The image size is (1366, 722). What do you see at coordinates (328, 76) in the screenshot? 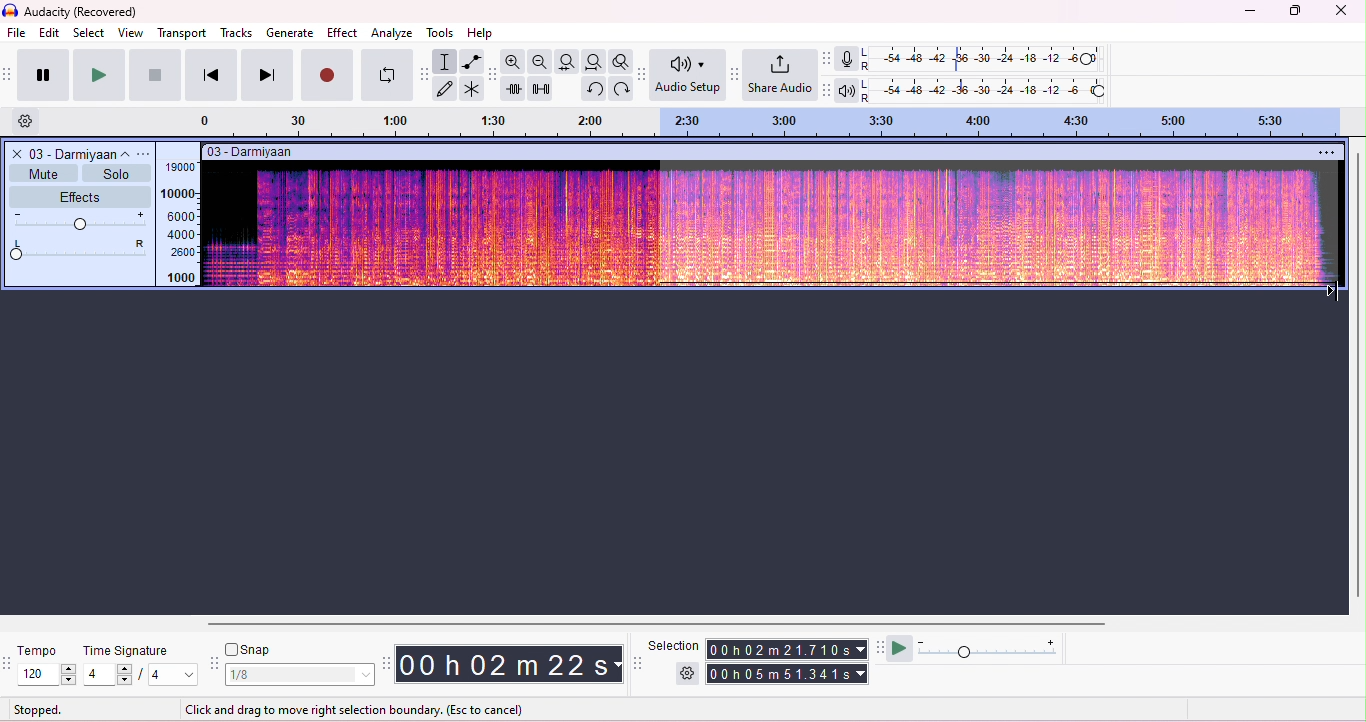
I see `record` at bounding box center [328, 76].